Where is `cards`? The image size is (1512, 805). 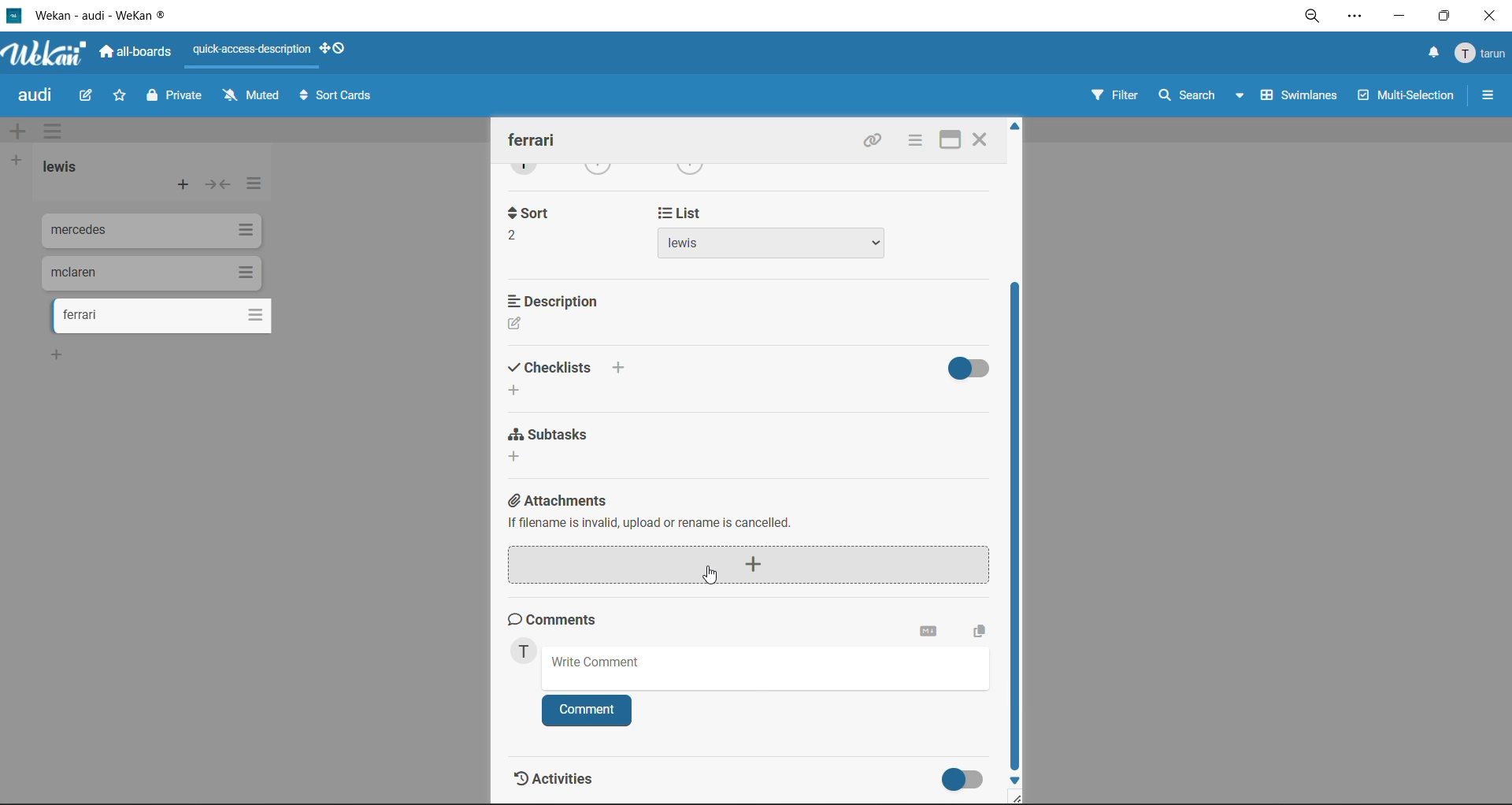 cards is located at coordinates (146, 272).